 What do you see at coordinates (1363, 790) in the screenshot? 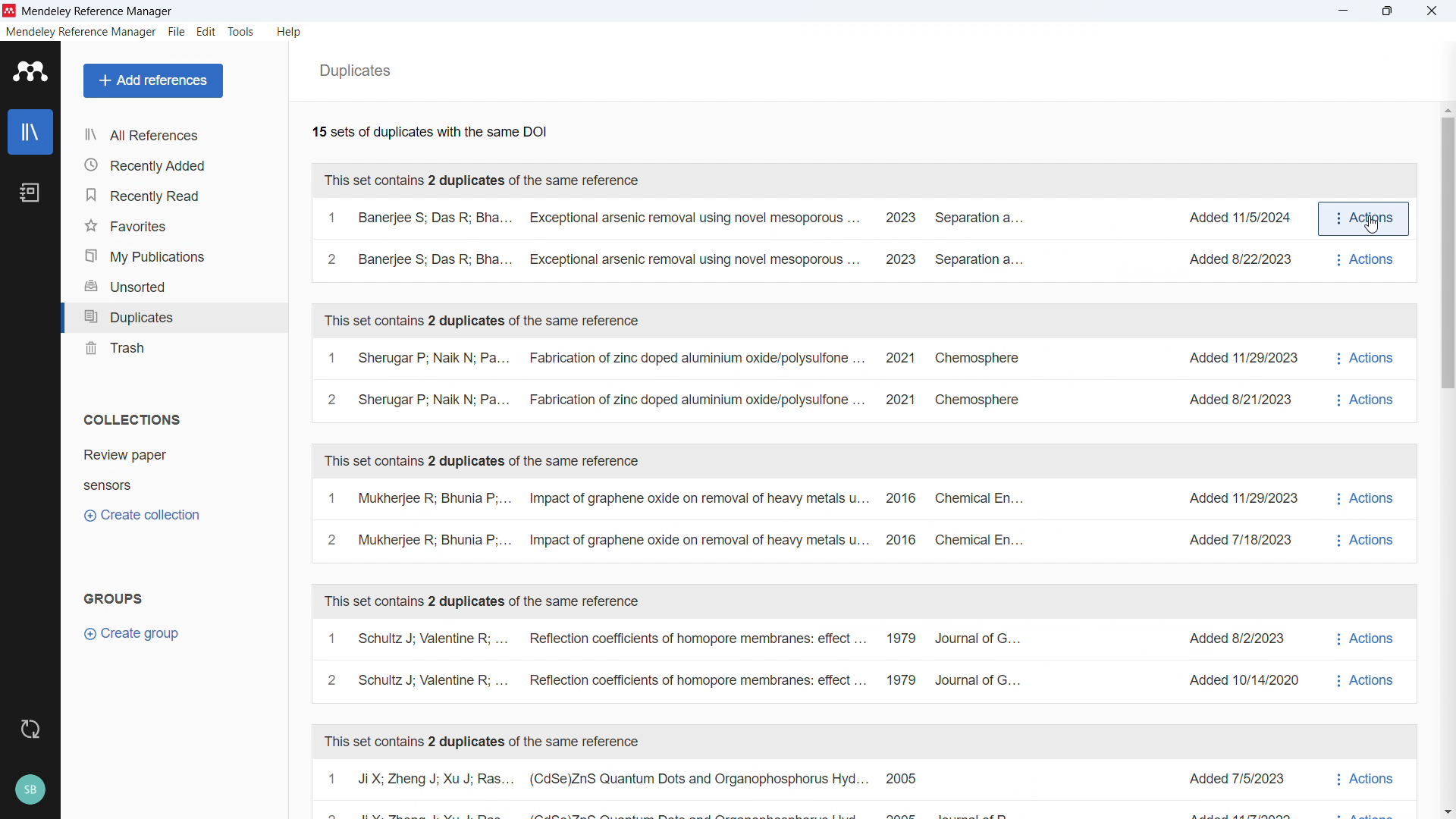
I see `Actions ` at bounding box center [1363, 790].